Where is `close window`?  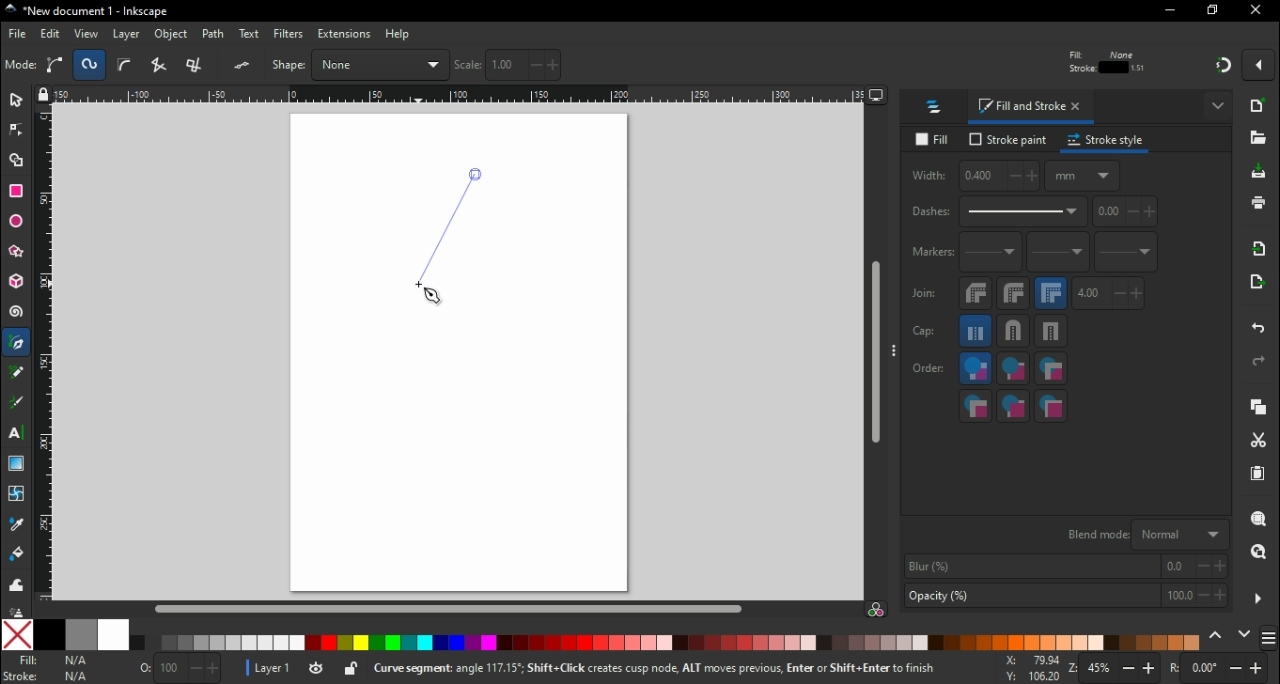
close window is located at coordinates (1258, 11).